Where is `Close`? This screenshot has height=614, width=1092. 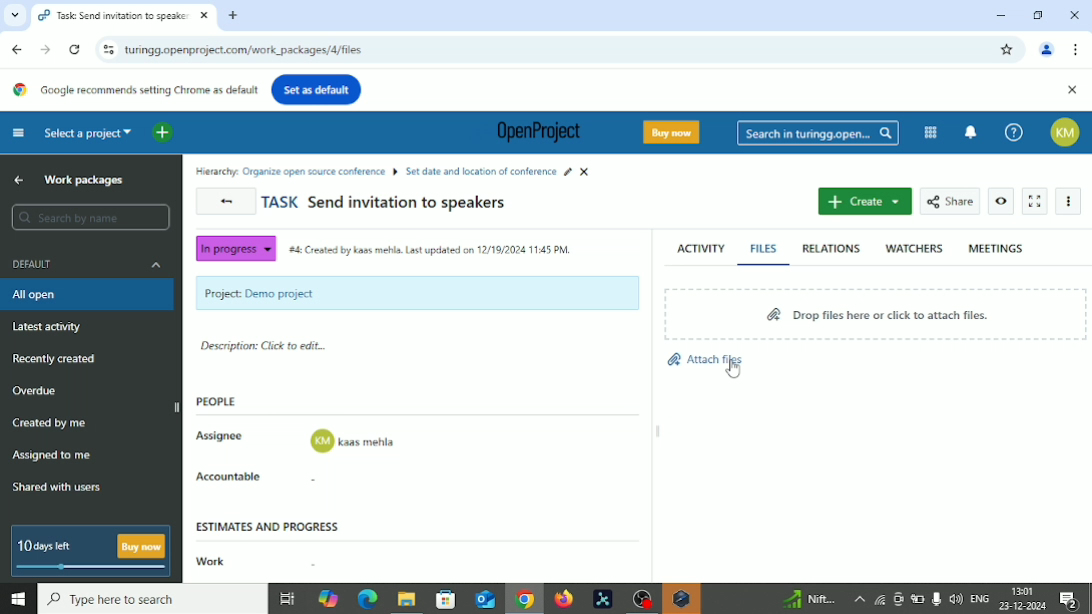 Close is located at coordinates (1074, 16).